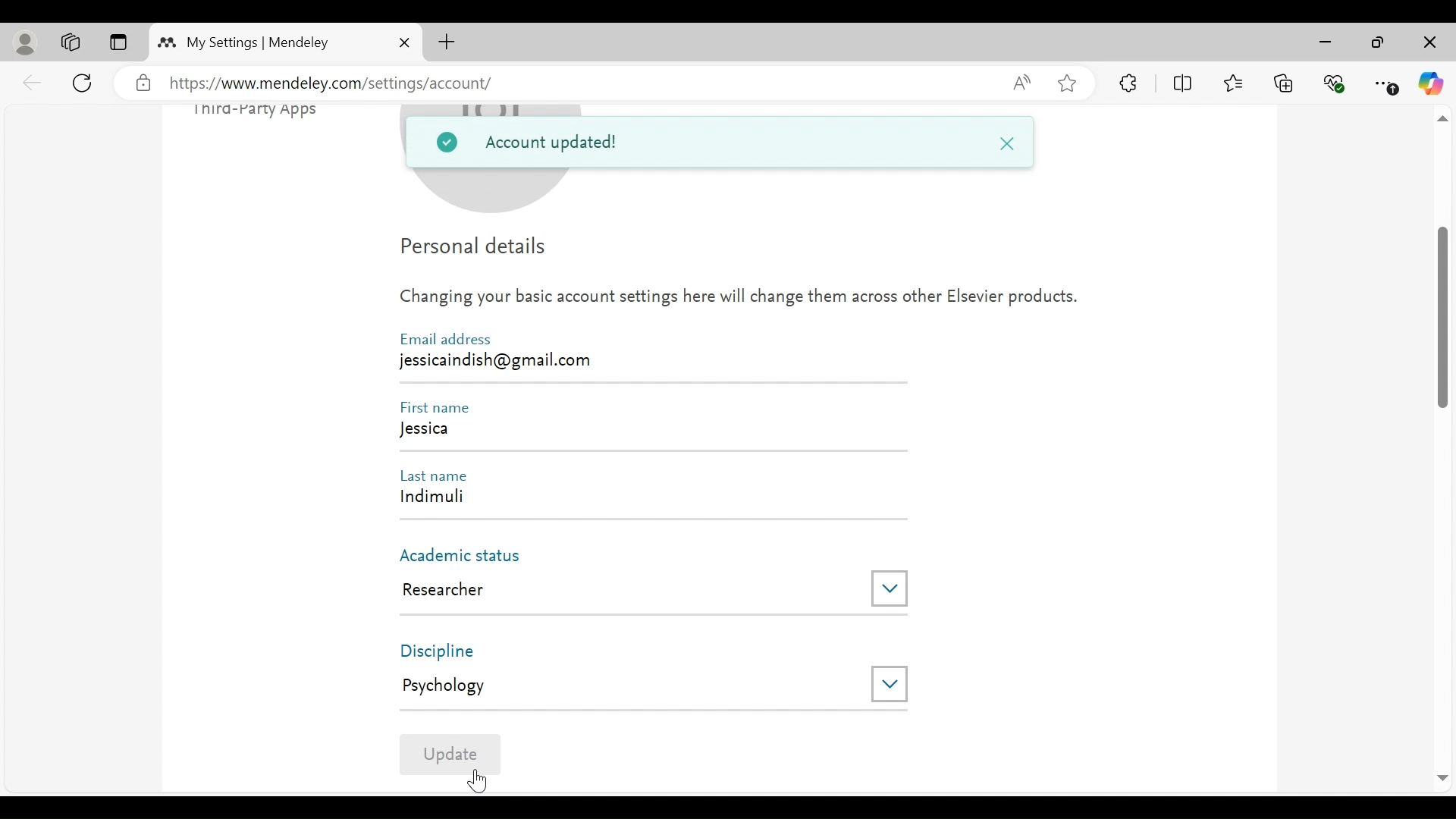 This screenshot has height=819, width=1456. I want to click on Workspaces, so click(71, 42).